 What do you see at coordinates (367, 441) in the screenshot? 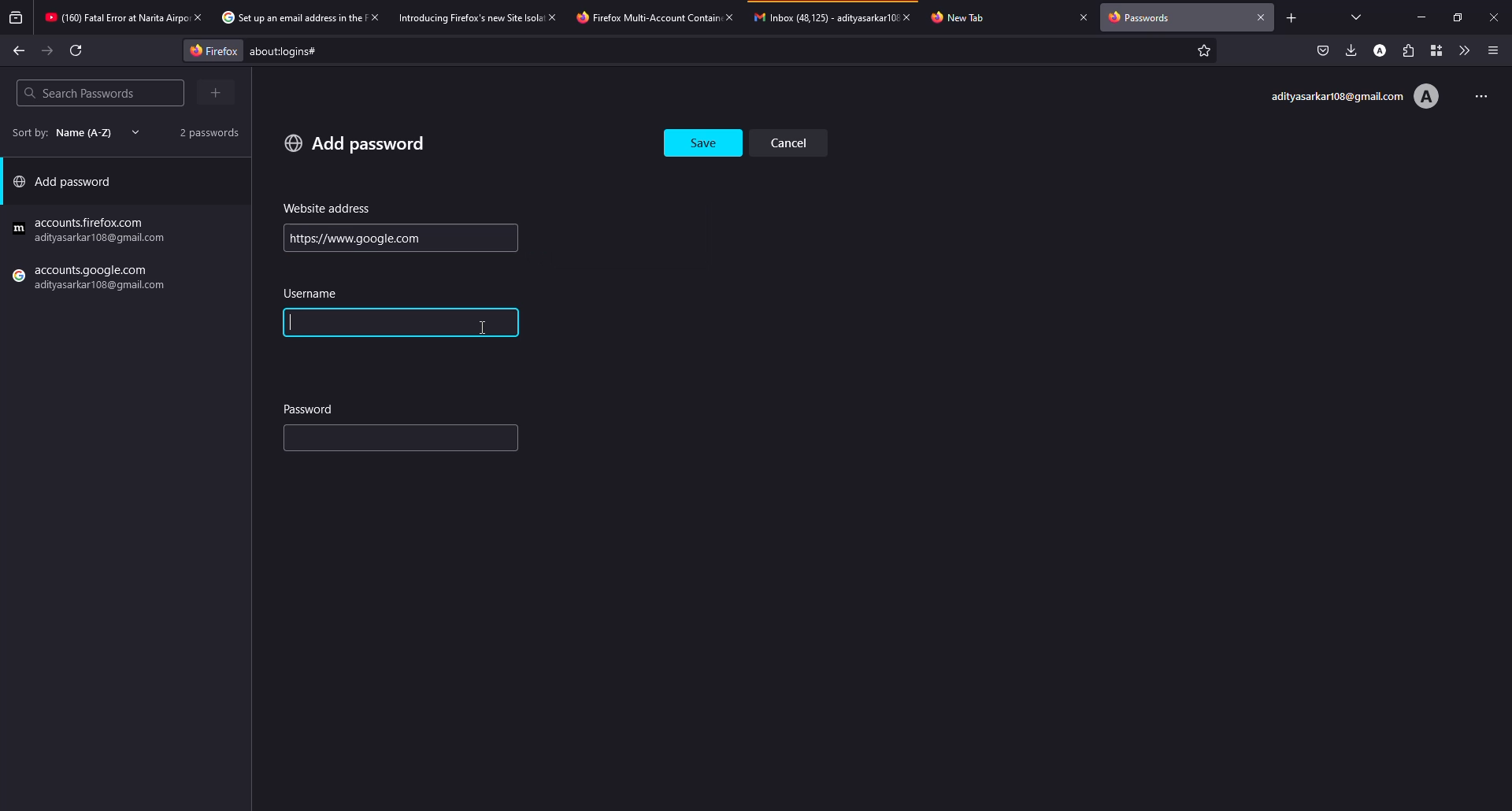
I see `type` at bounding box center [367, 441].